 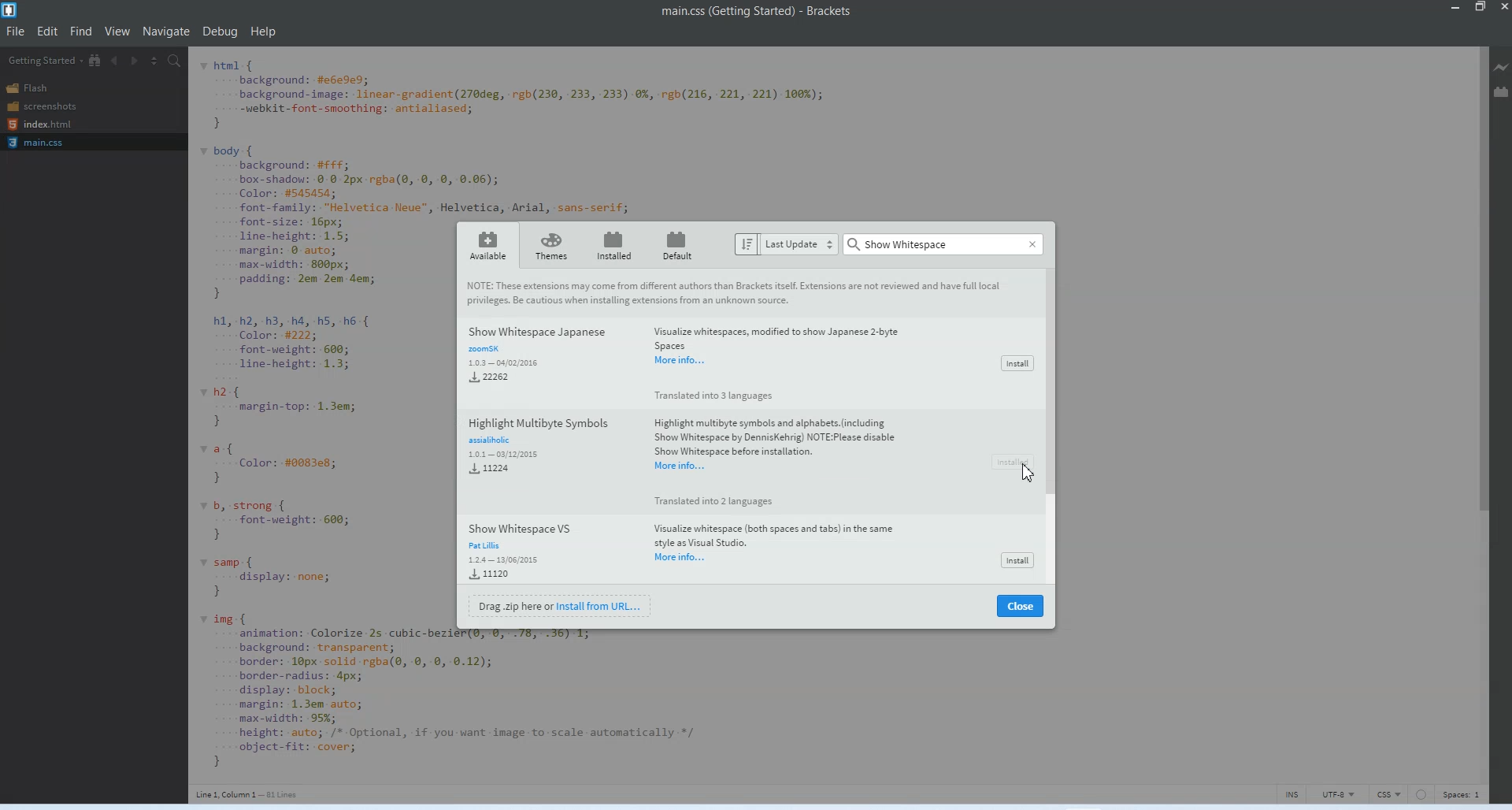 What do you see at coordinates (1502, 94) in the screenshot?
I see `Extension Manager` at bounding box center [1502, 94].